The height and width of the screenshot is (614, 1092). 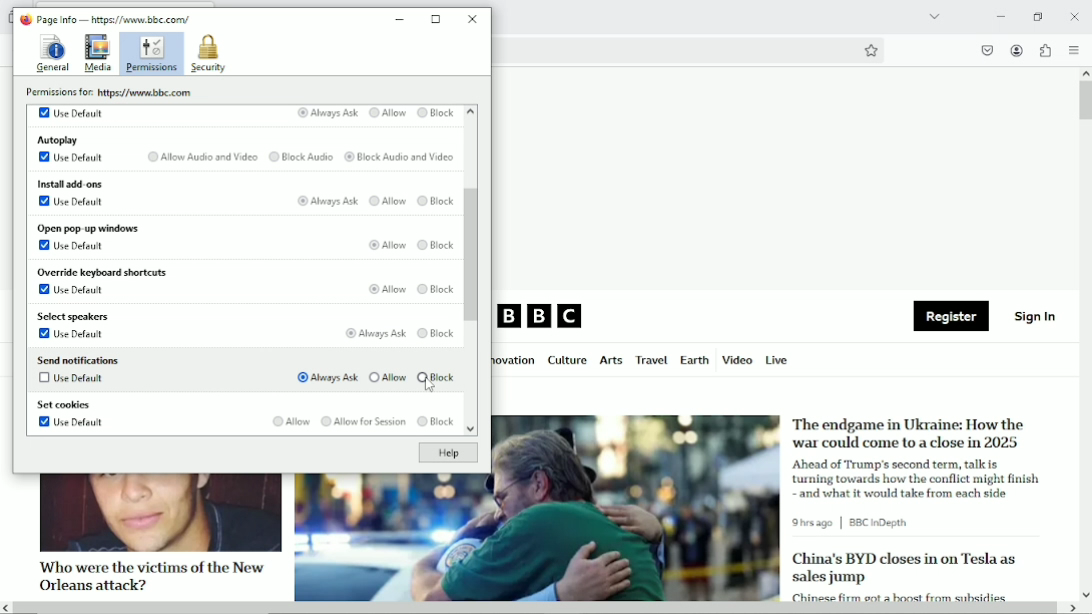 I want to click on General, so click(x=51, y=52).